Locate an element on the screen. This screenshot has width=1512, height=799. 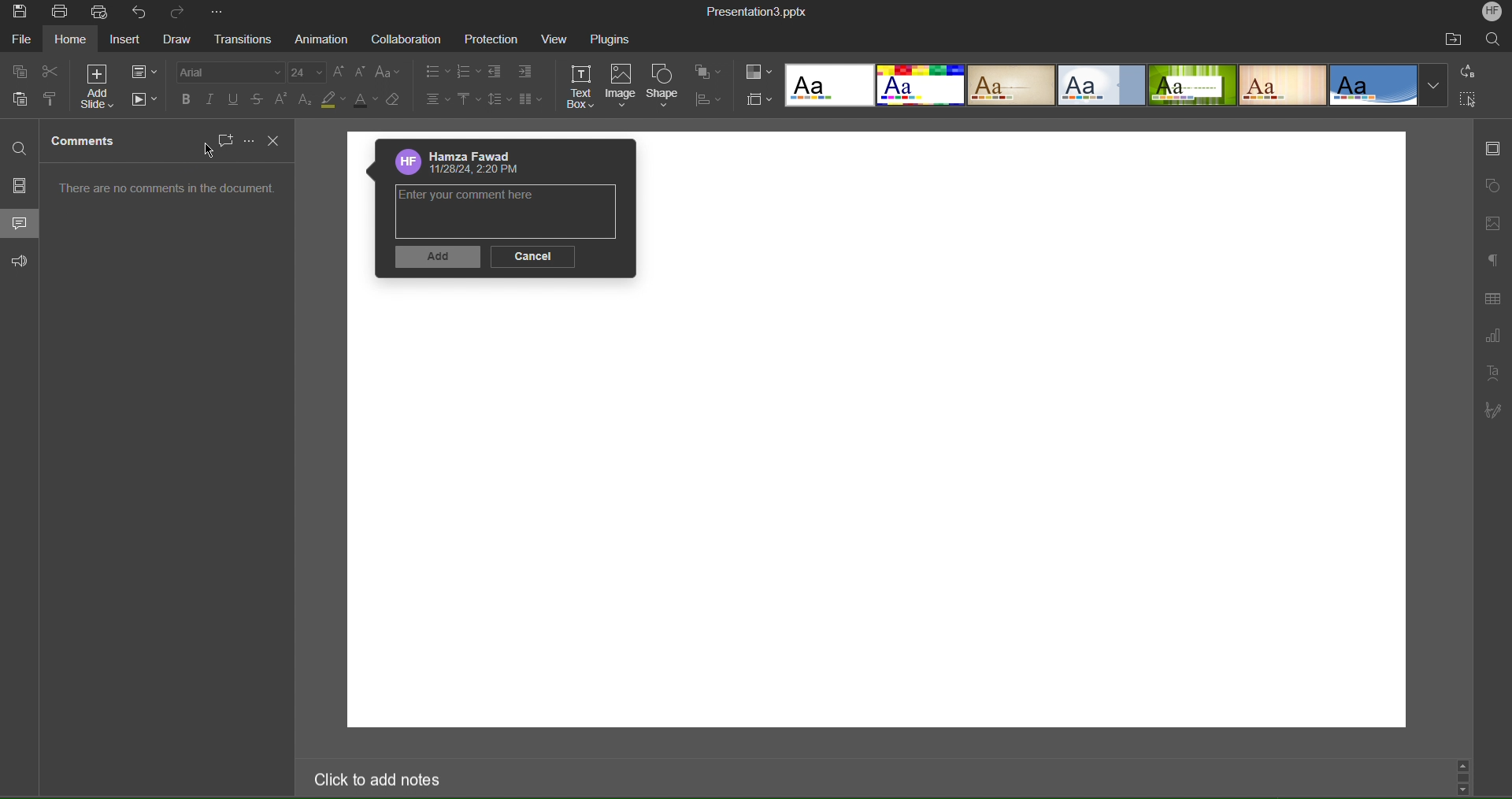
Slide Size Settings is located at coordinates (759, 100).